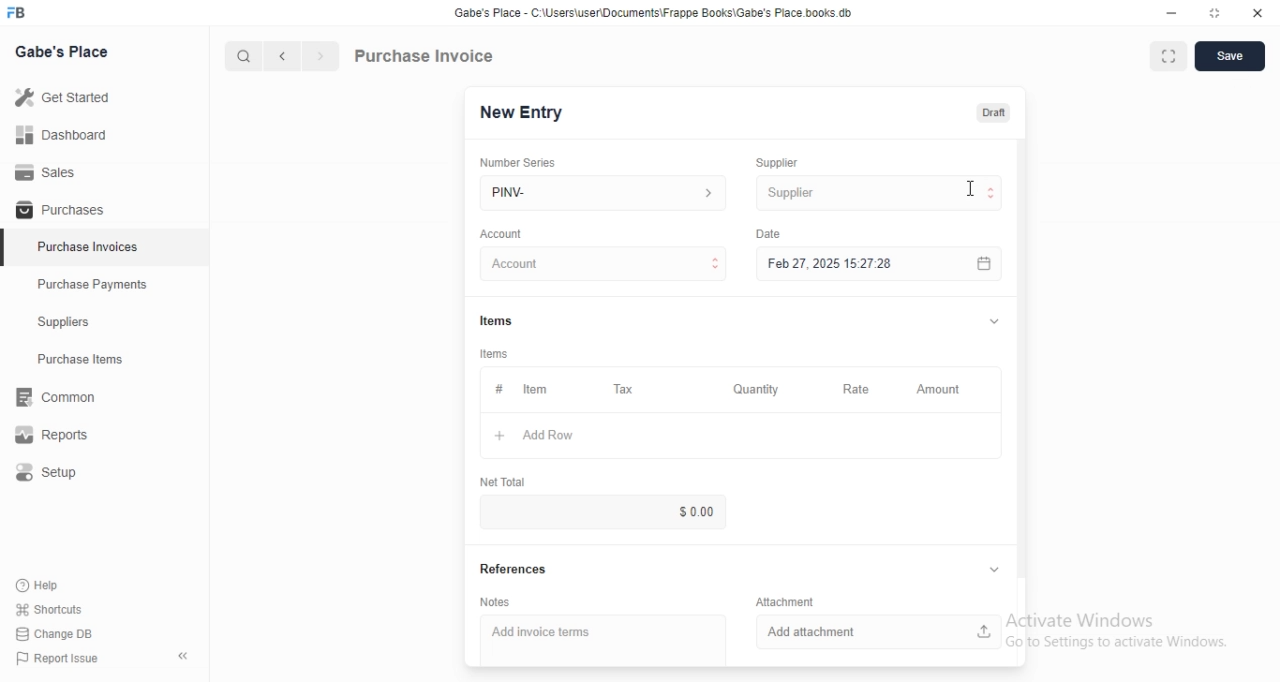 The width and height of the screenshot is (1280, 682). Describe the element at coordinates (994, 113) in the screenshot. I see `Draft` at that location.